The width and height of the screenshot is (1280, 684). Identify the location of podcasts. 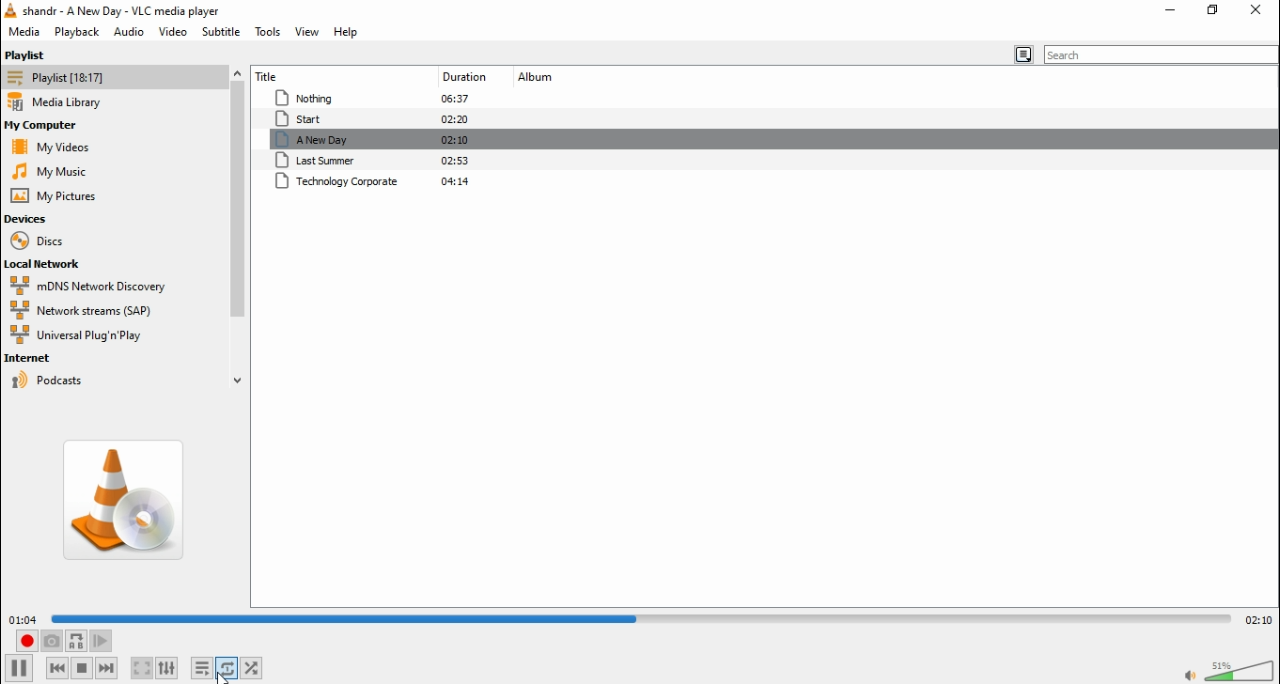
(75, 379).